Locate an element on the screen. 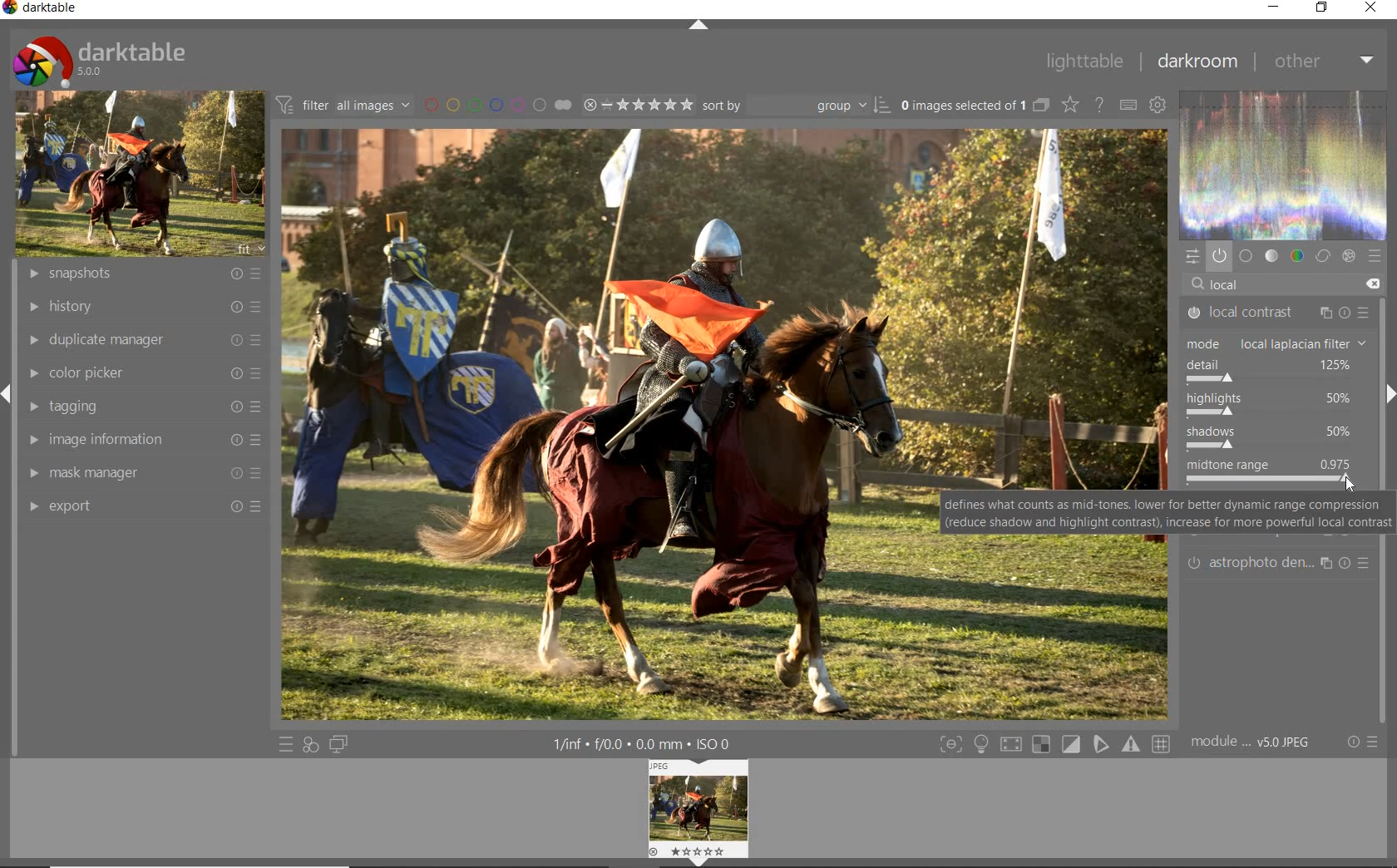 The image size is (1397, 868). correct is located at coordinates (1324, 256).